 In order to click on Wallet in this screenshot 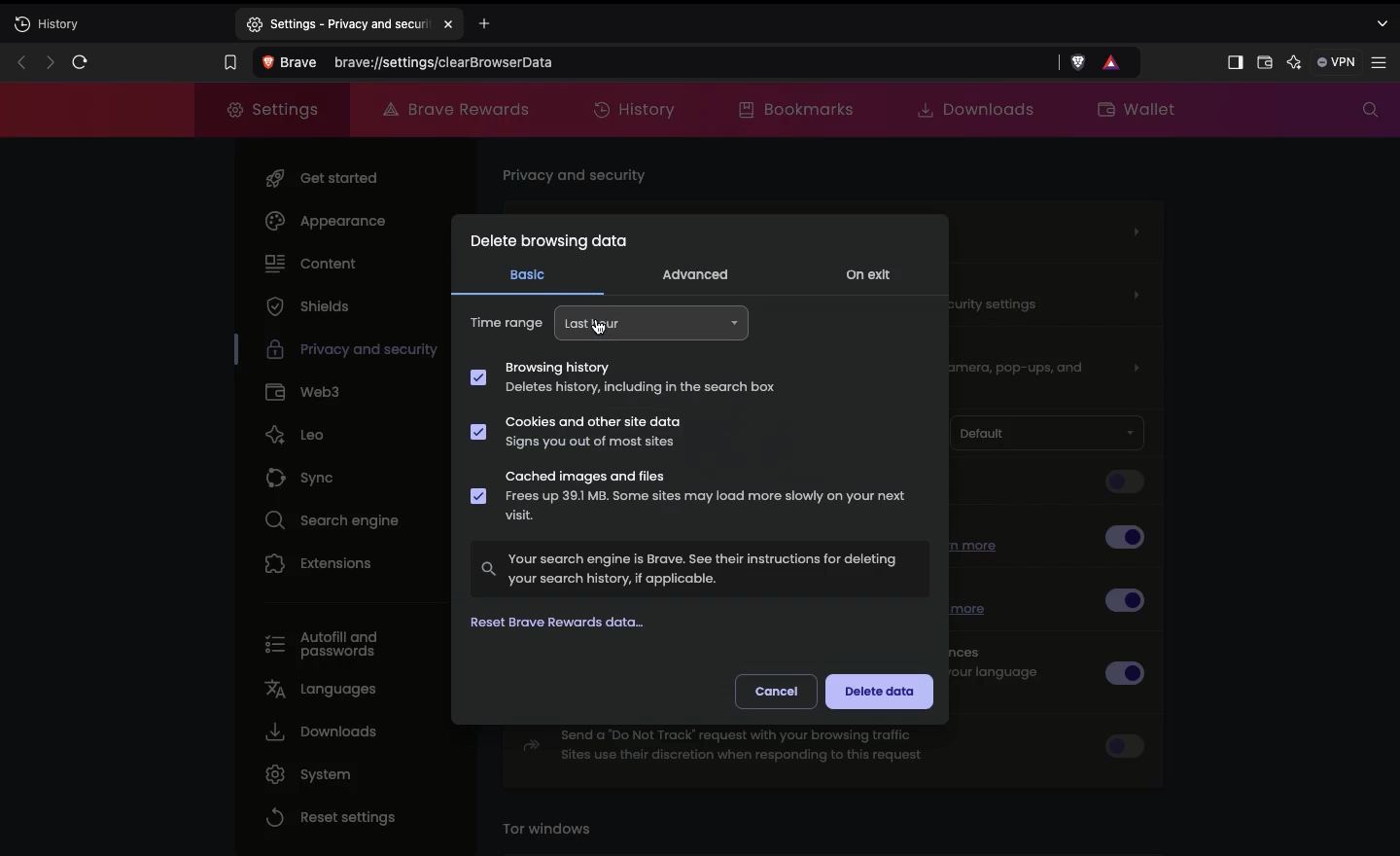, I will do `click(1263, 64)`.